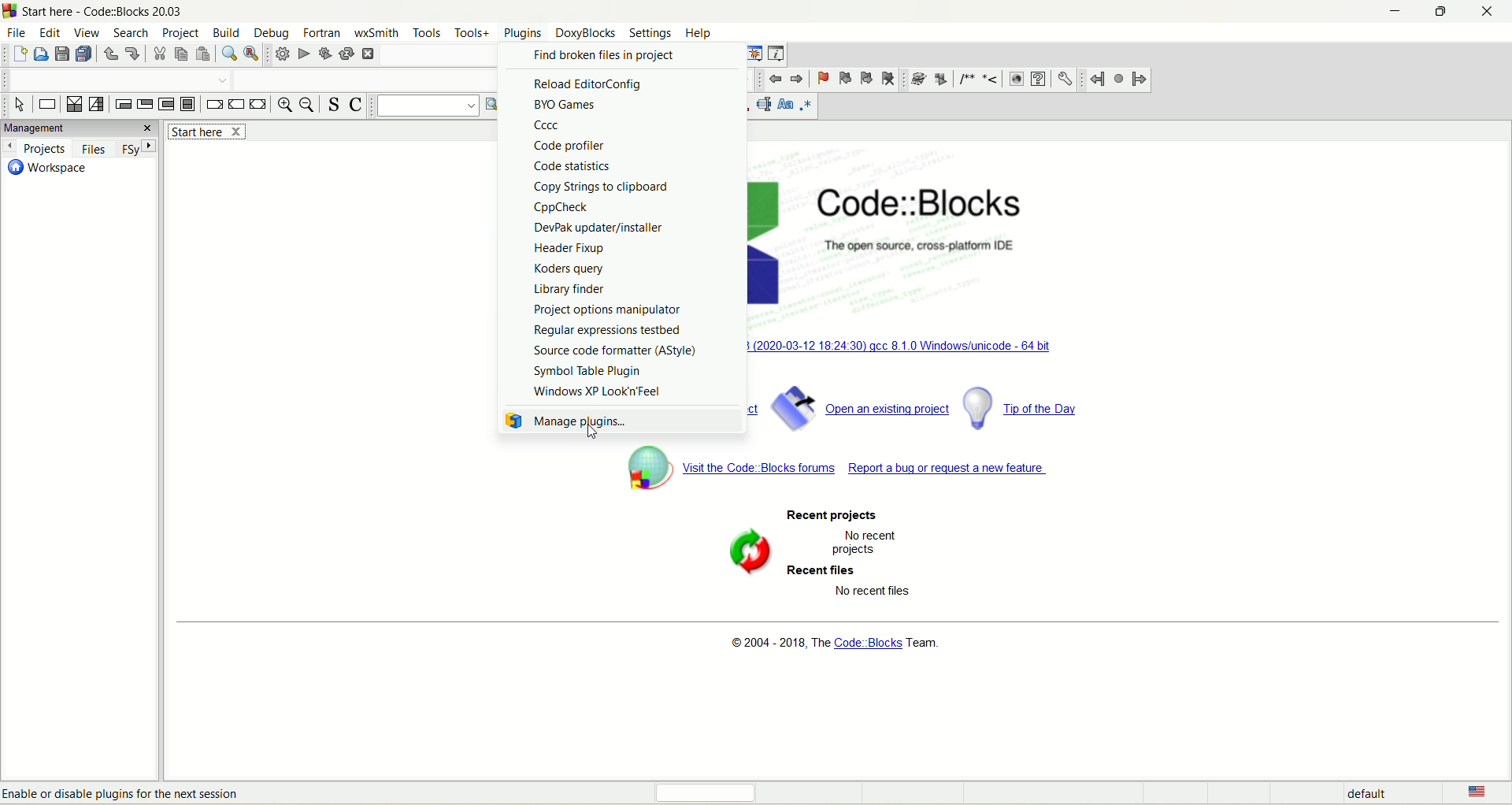  Describe the element at coordinates (39, 57) in the screenshot. I see `open` at that location.